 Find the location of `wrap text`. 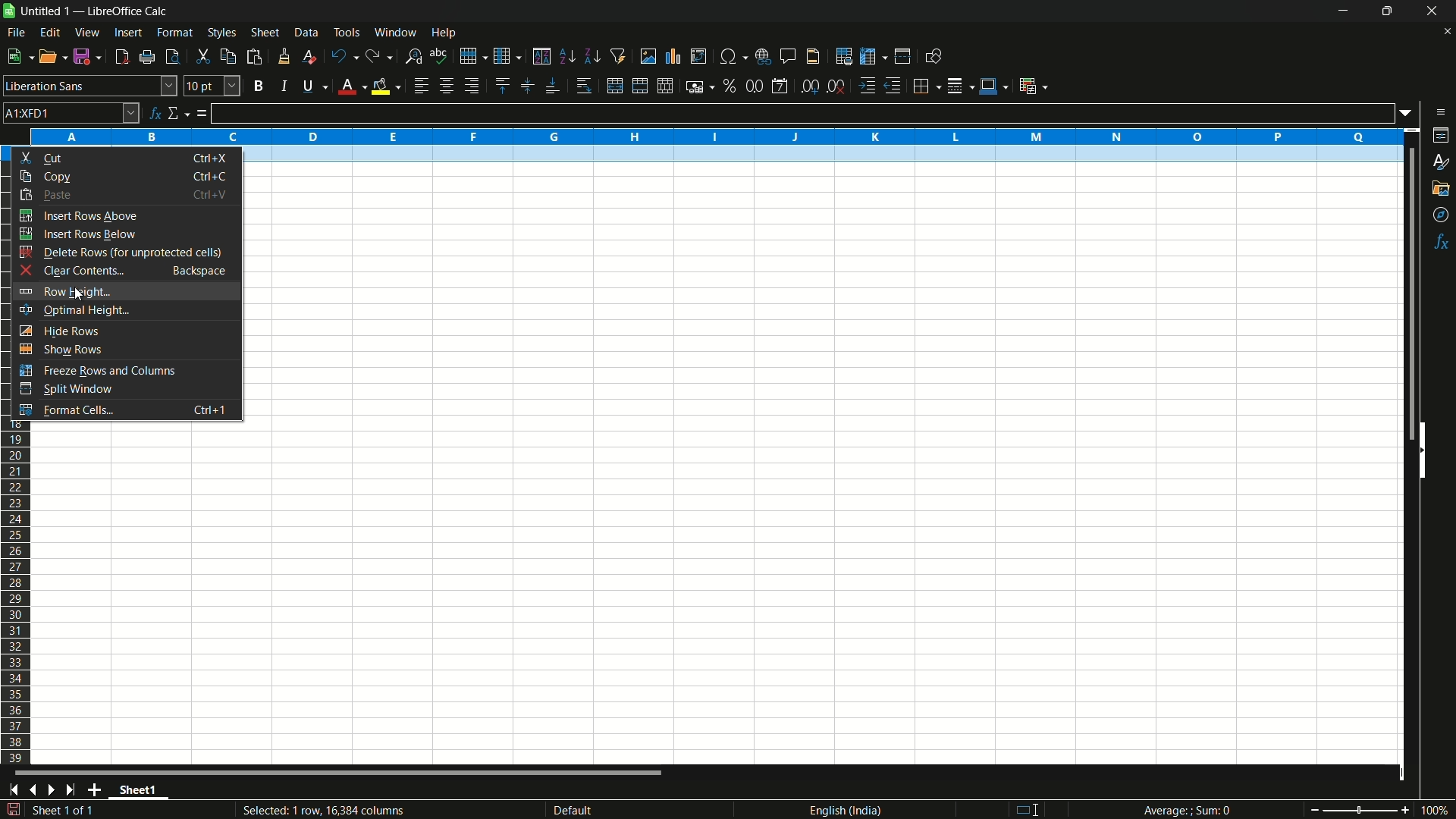

wrap text is located at coordinates (587, 86).